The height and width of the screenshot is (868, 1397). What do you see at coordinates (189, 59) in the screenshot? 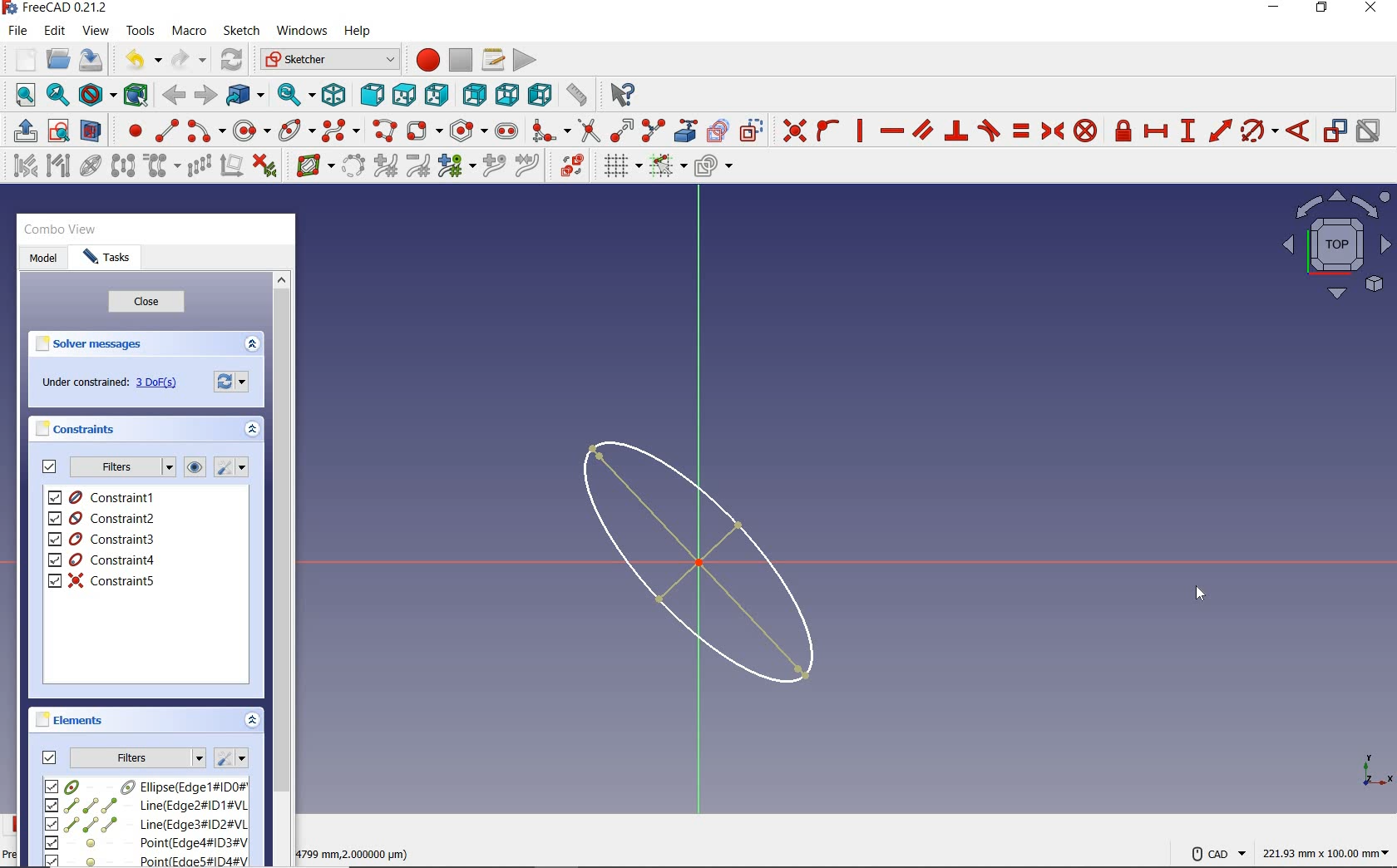
I see `redo` at bounding box center [189, 59].